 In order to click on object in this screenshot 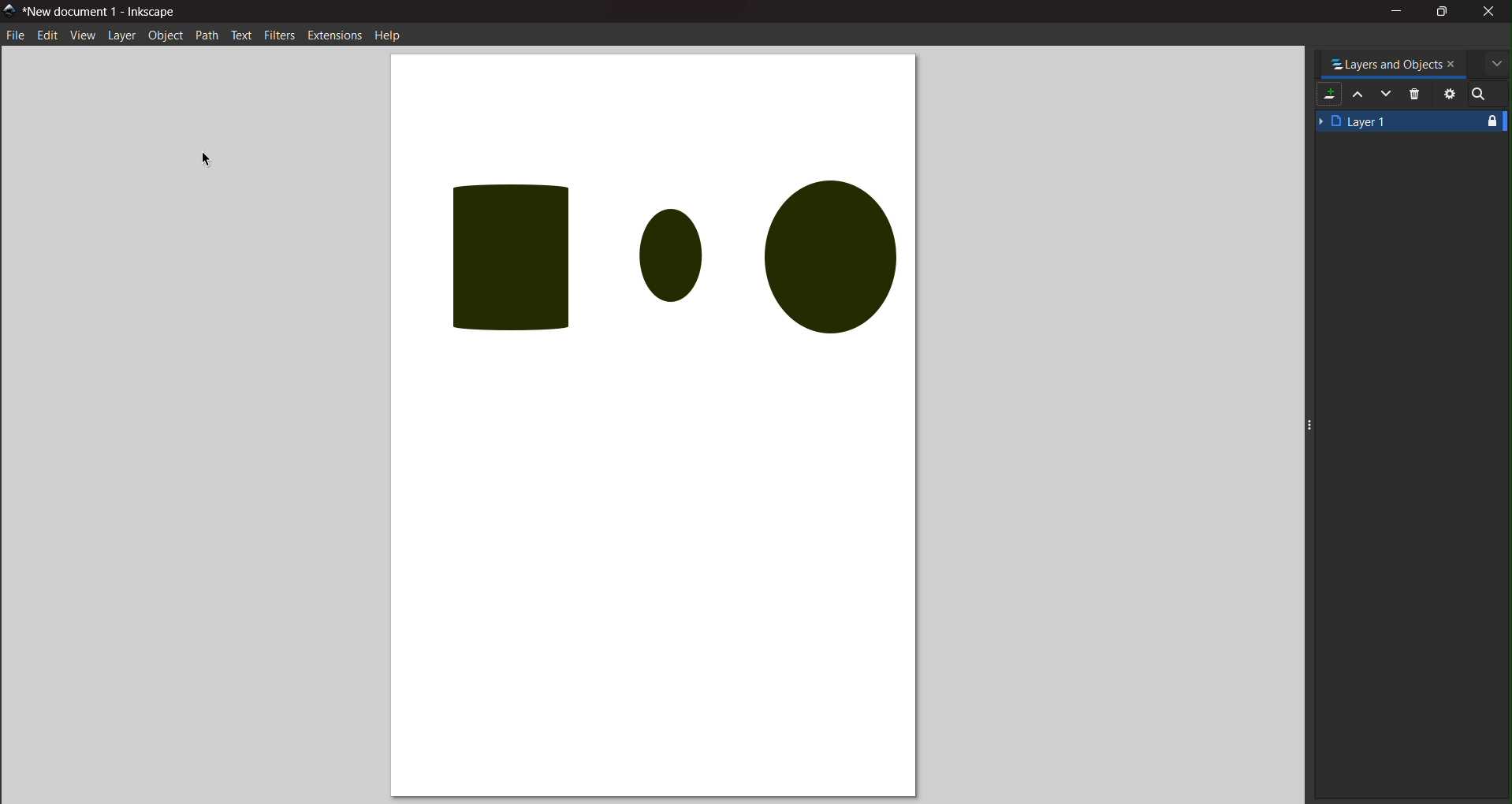, I will do `click(165, 35)`.